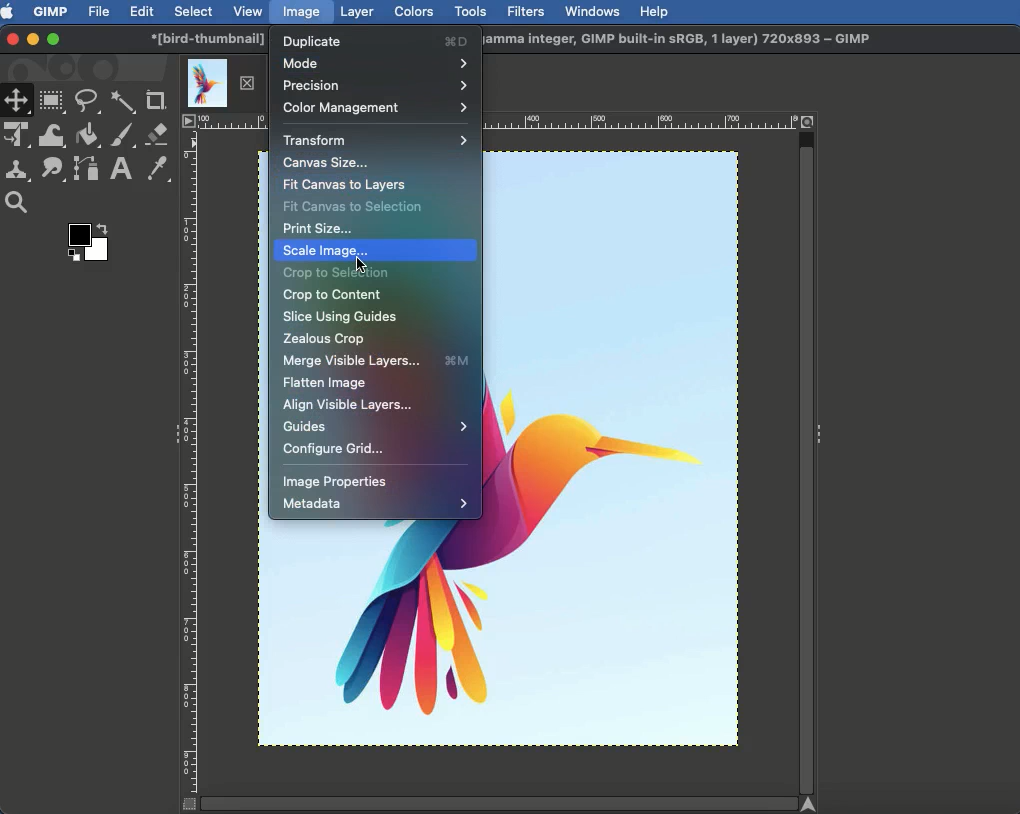 The image size is (1020, 814). Describe the element at coordinates (346, 185) in the screenshot. I see `Fit canvas layers` at that location.